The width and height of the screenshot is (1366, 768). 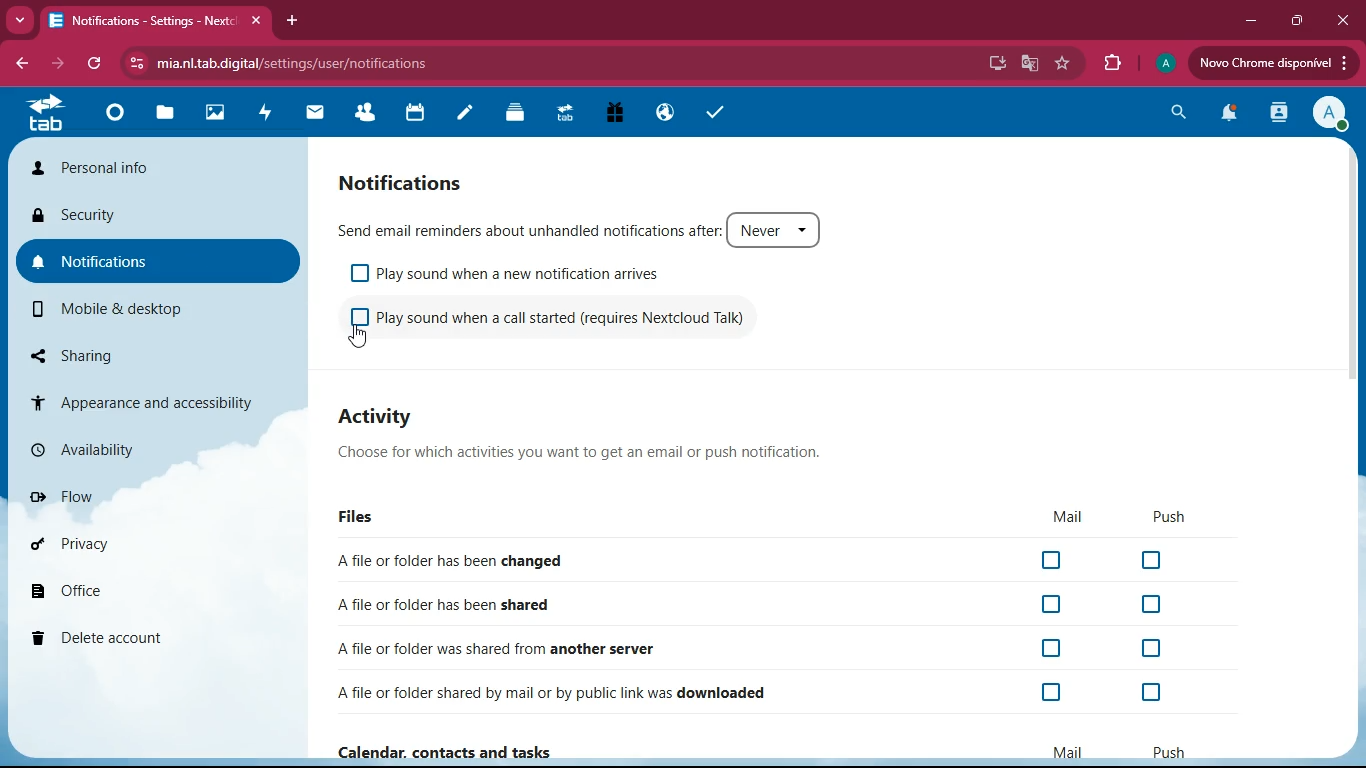 I want to click on activity, so click(x=1279, y=116).